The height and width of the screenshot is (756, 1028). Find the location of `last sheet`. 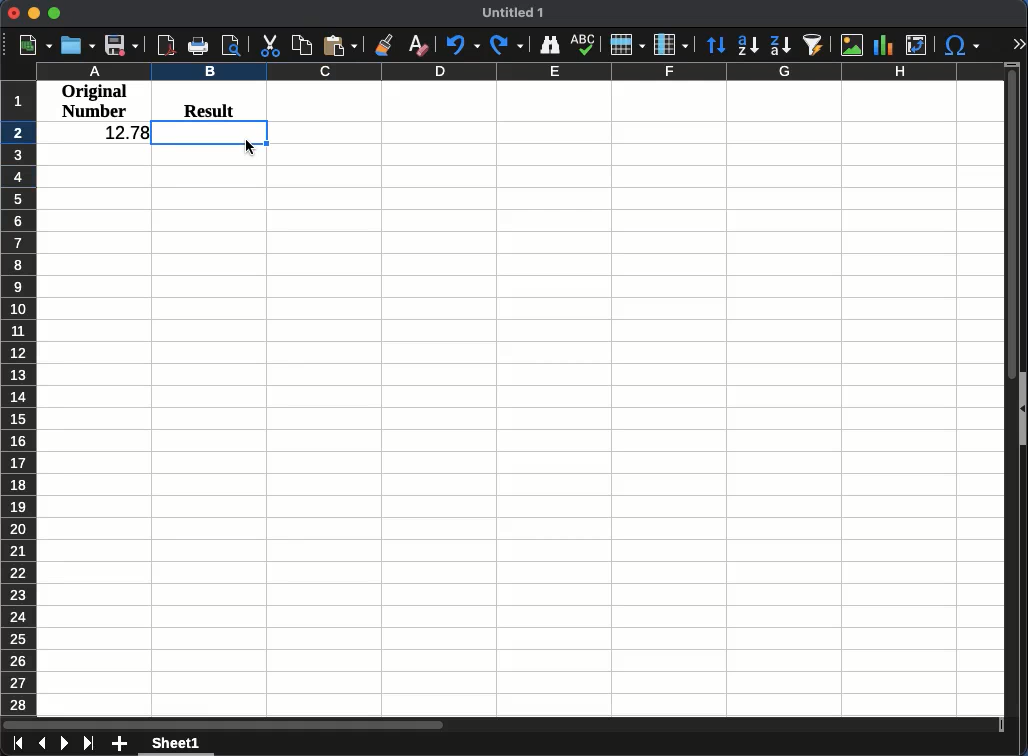

last sheet is located at coordinates (89, 743).